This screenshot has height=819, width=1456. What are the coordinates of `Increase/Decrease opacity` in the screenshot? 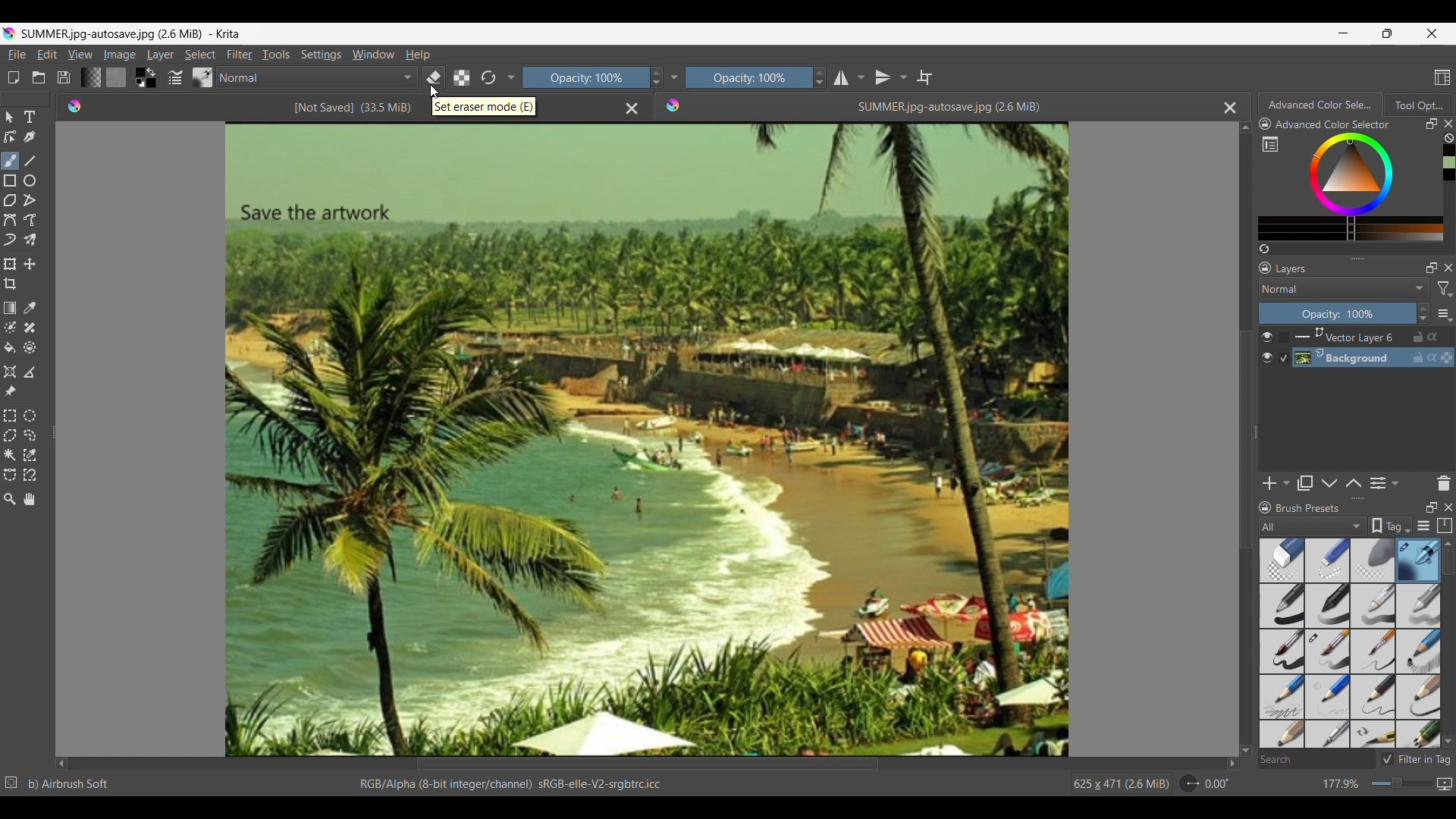 It's located at (1423, 313).